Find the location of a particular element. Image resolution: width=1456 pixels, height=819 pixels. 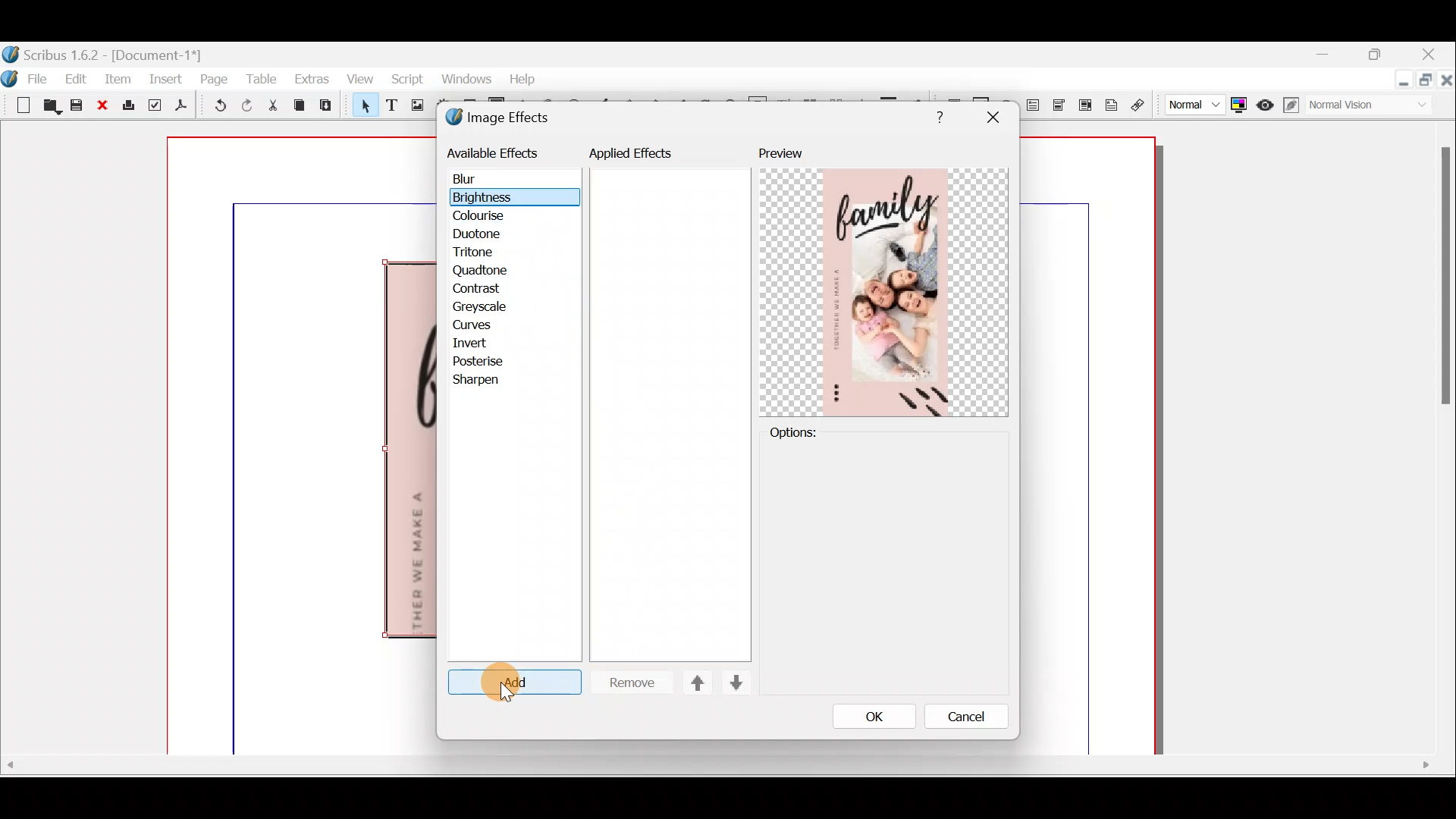

Colourise is located at coordinates (486, 217).